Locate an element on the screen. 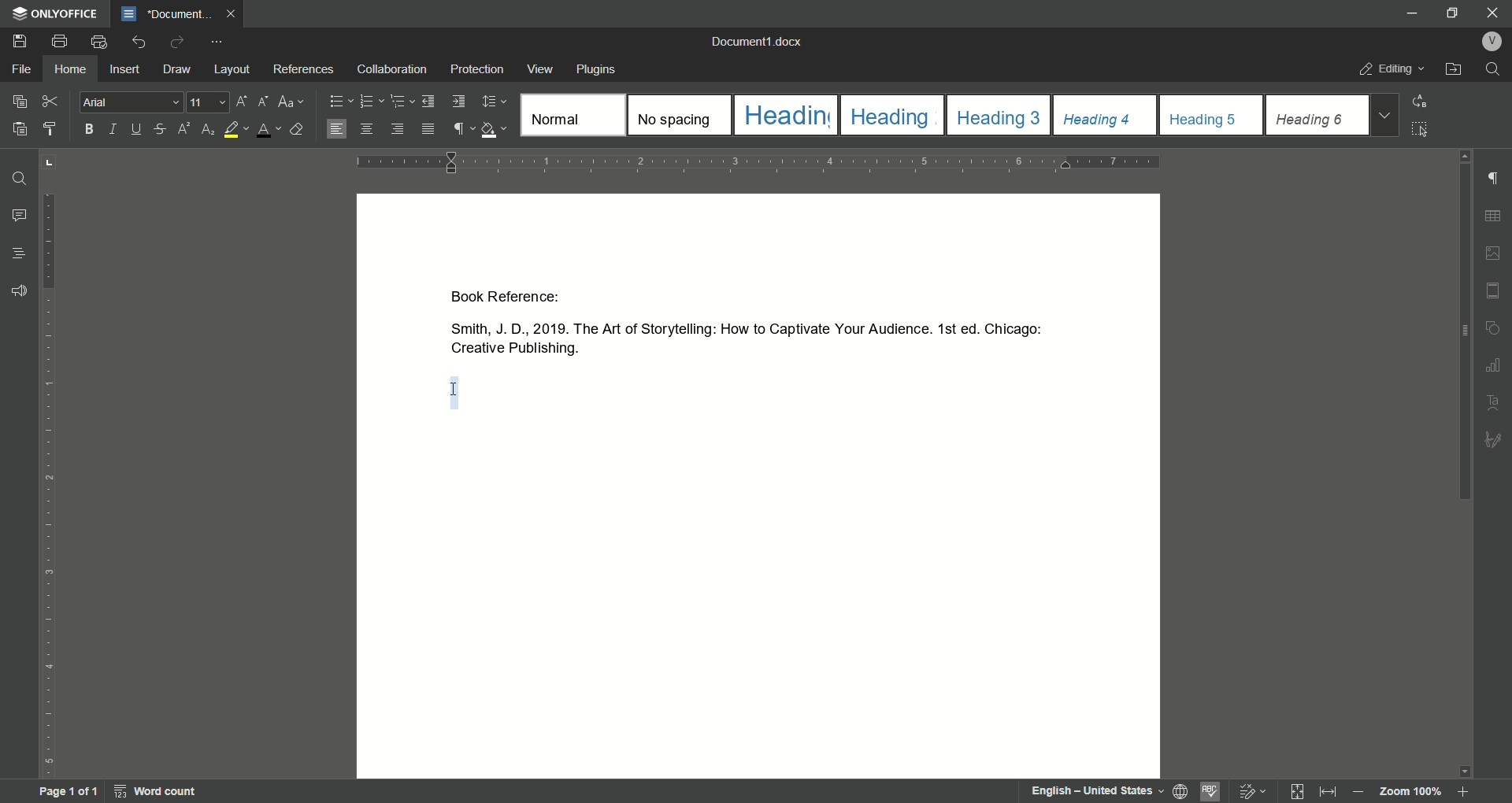  hide window is located at coordinates (1409, 13).